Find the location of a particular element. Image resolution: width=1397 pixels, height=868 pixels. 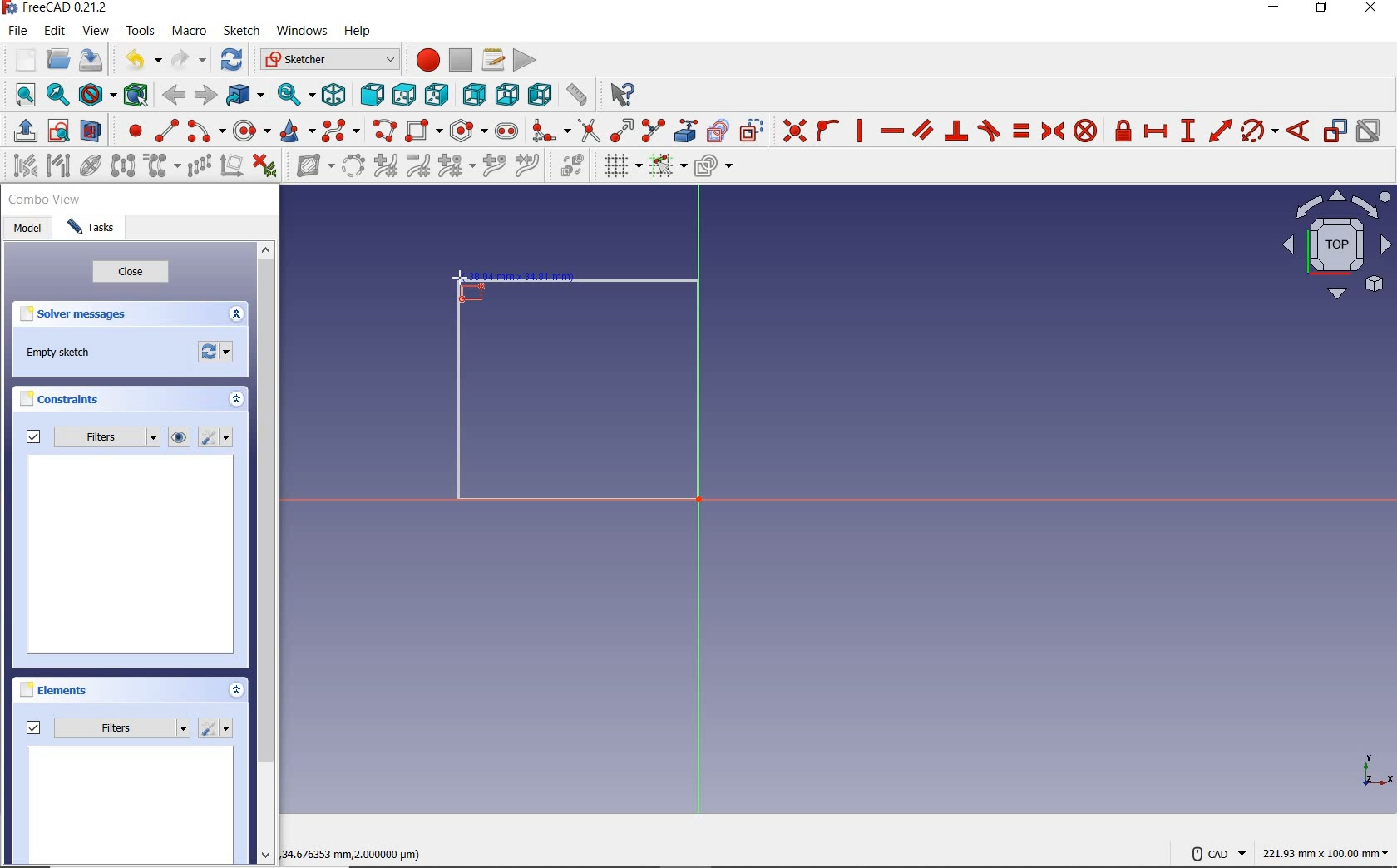

filters is located at coordinates (89, 437).